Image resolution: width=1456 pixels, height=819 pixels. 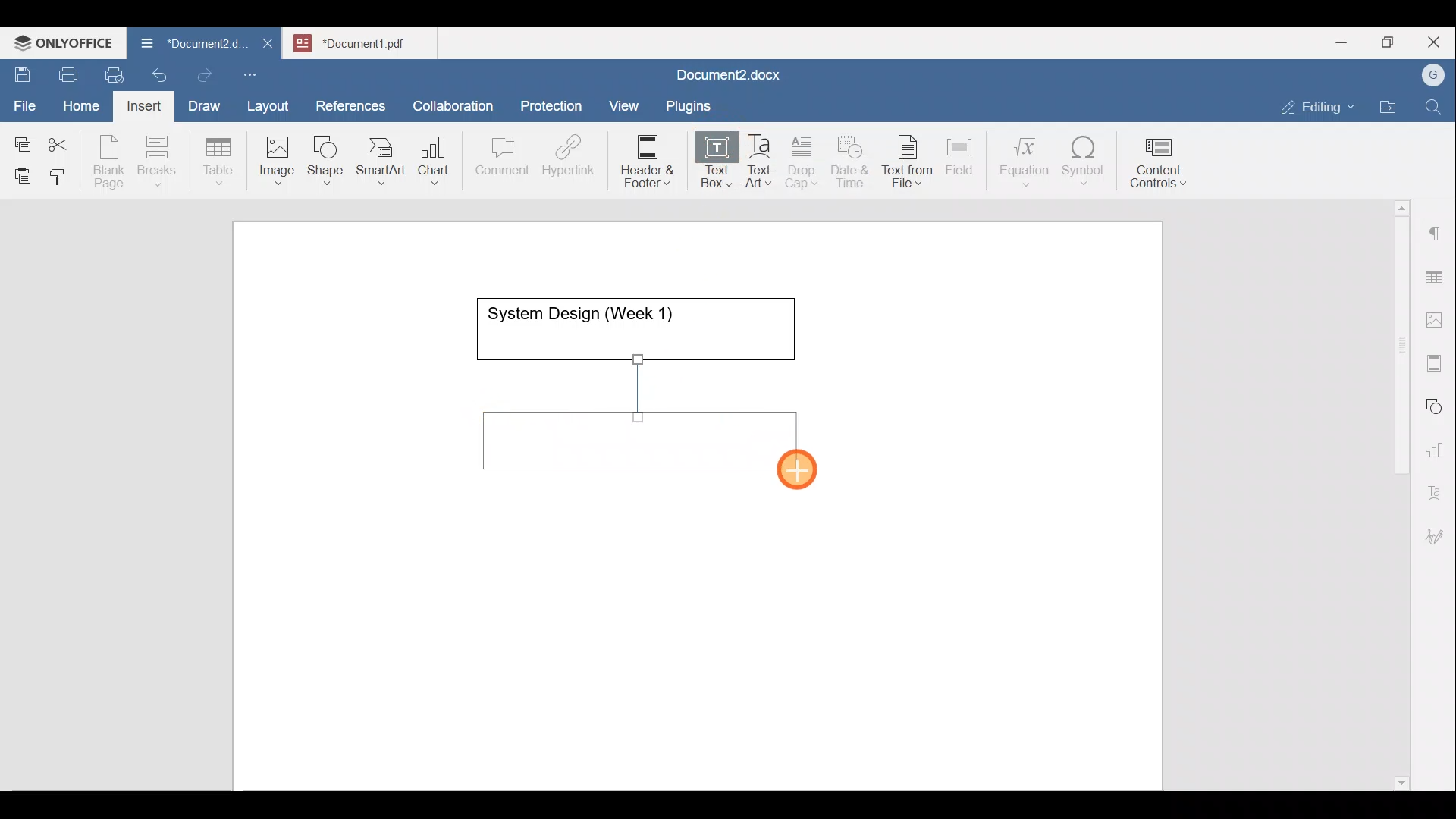 What do you see at coordinates (156, 73) in the screenshot?
I see `Undo` at bounding box center [156, 73].